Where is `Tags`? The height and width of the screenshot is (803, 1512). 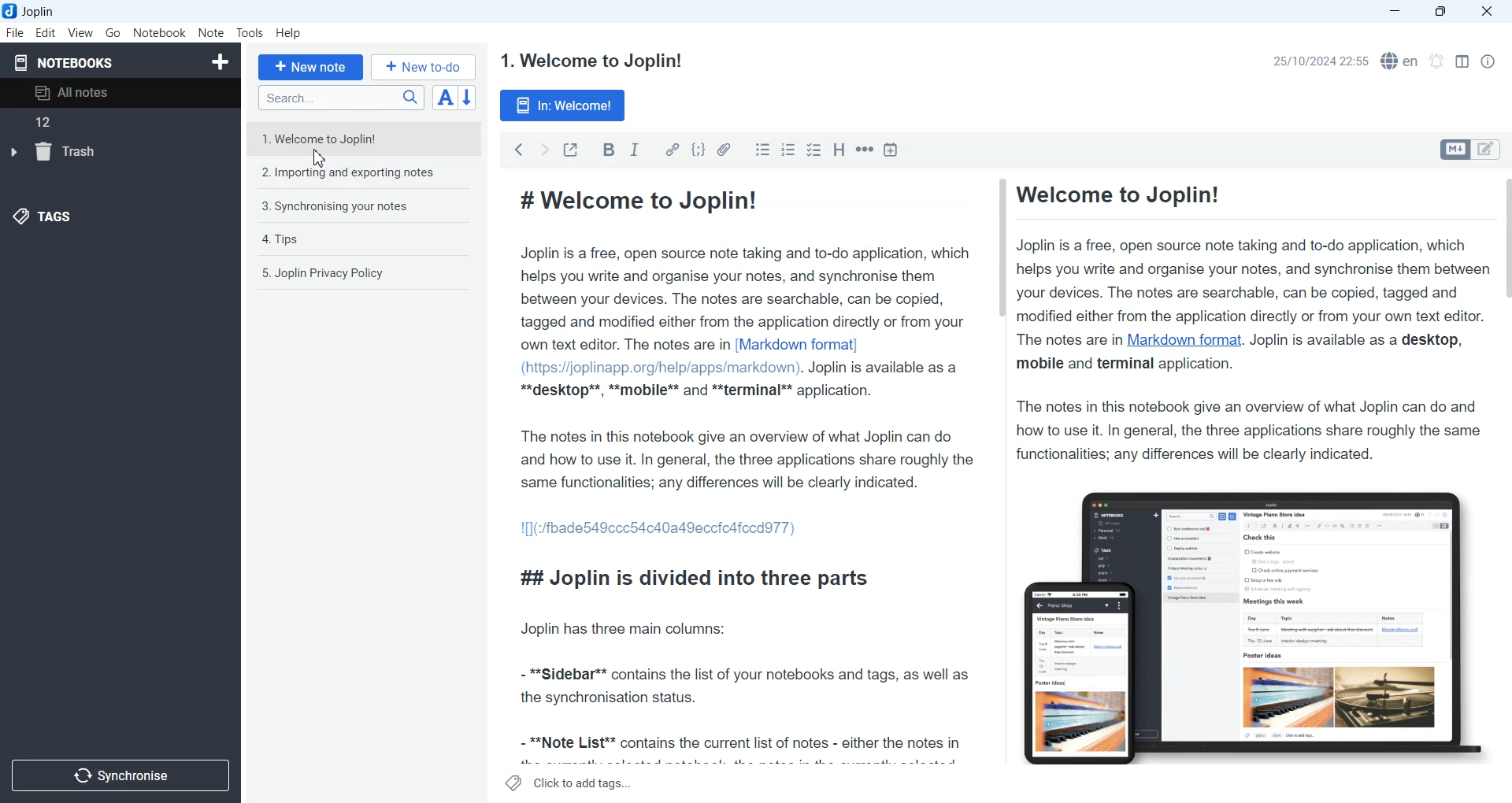
Tags is located at coordinates (52, 216).